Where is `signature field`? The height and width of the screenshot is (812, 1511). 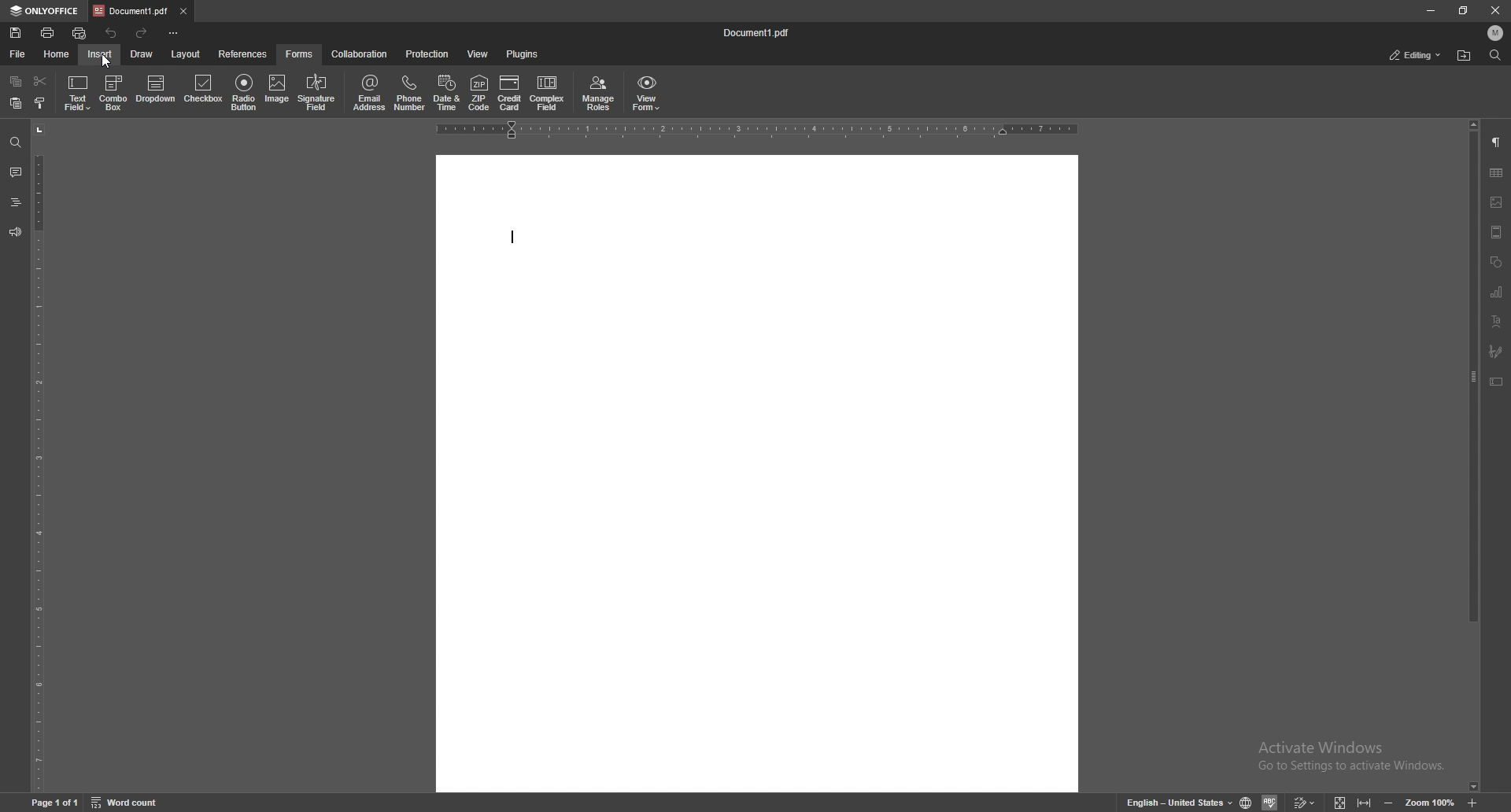
signature field is located at coordinates (316, 92).